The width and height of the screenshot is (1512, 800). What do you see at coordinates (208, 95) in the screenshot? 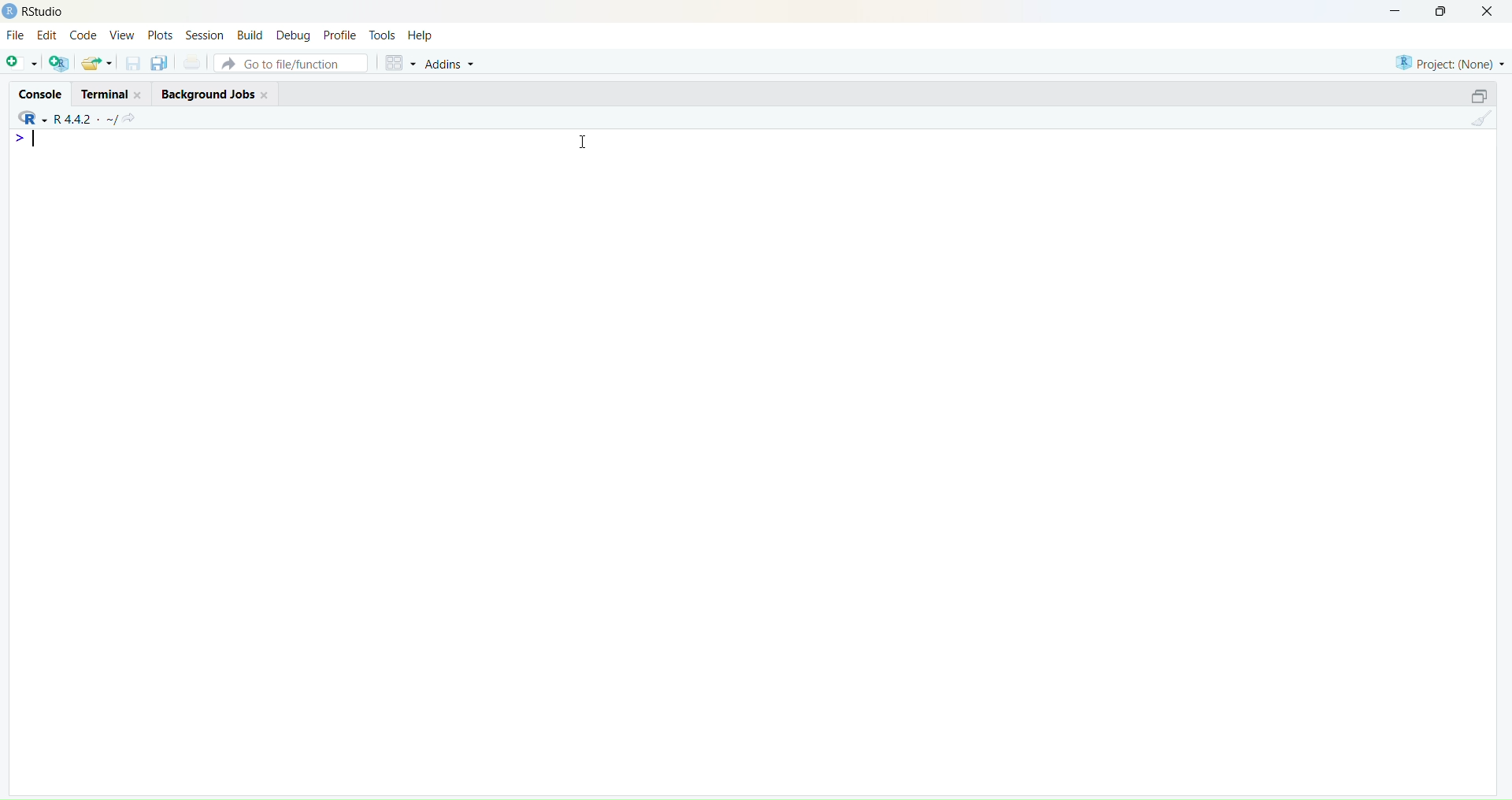
I see `Background jobs` at bounding box center [208, 95].